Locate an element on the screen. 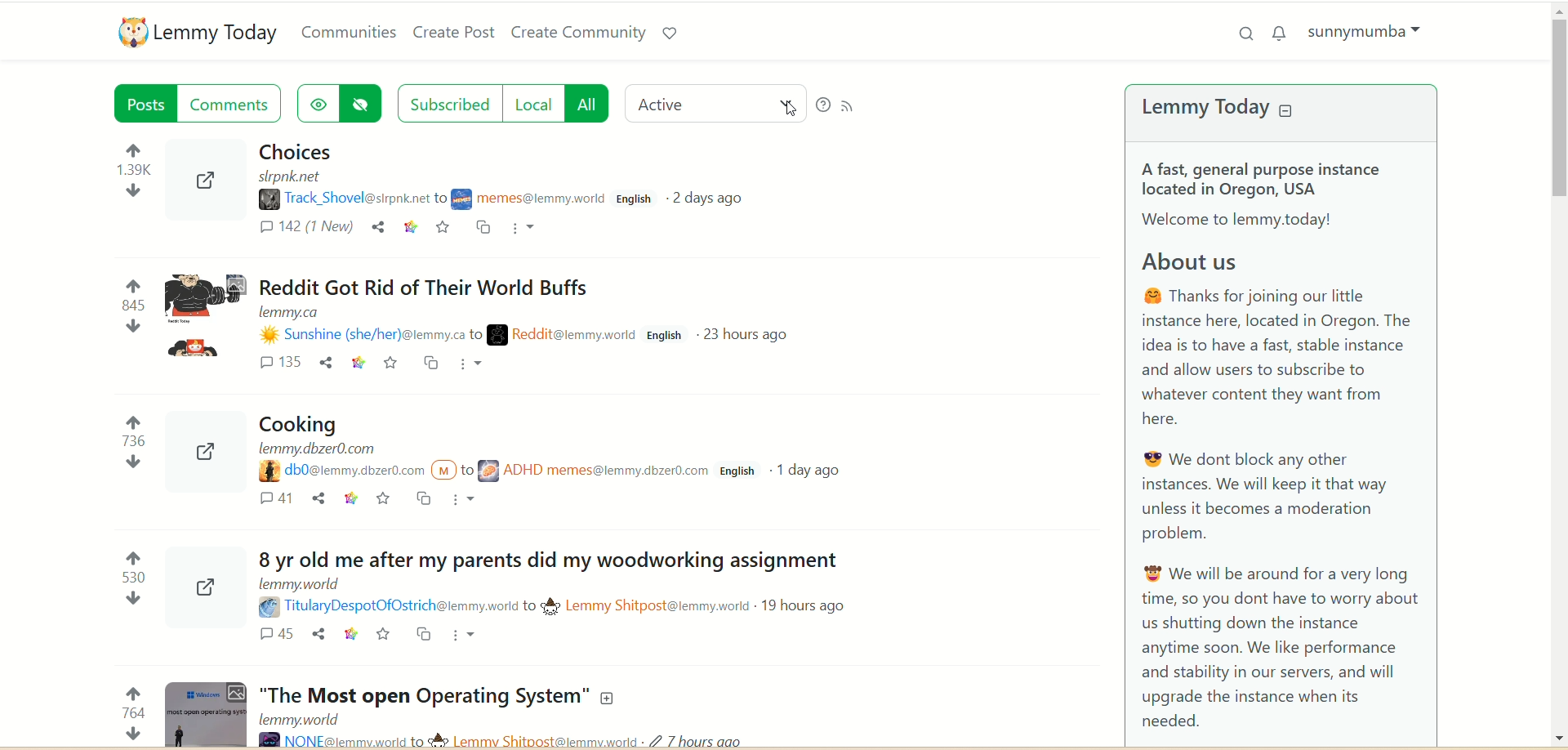  sunnymumba(account) is located at coordinates (1370, 31).